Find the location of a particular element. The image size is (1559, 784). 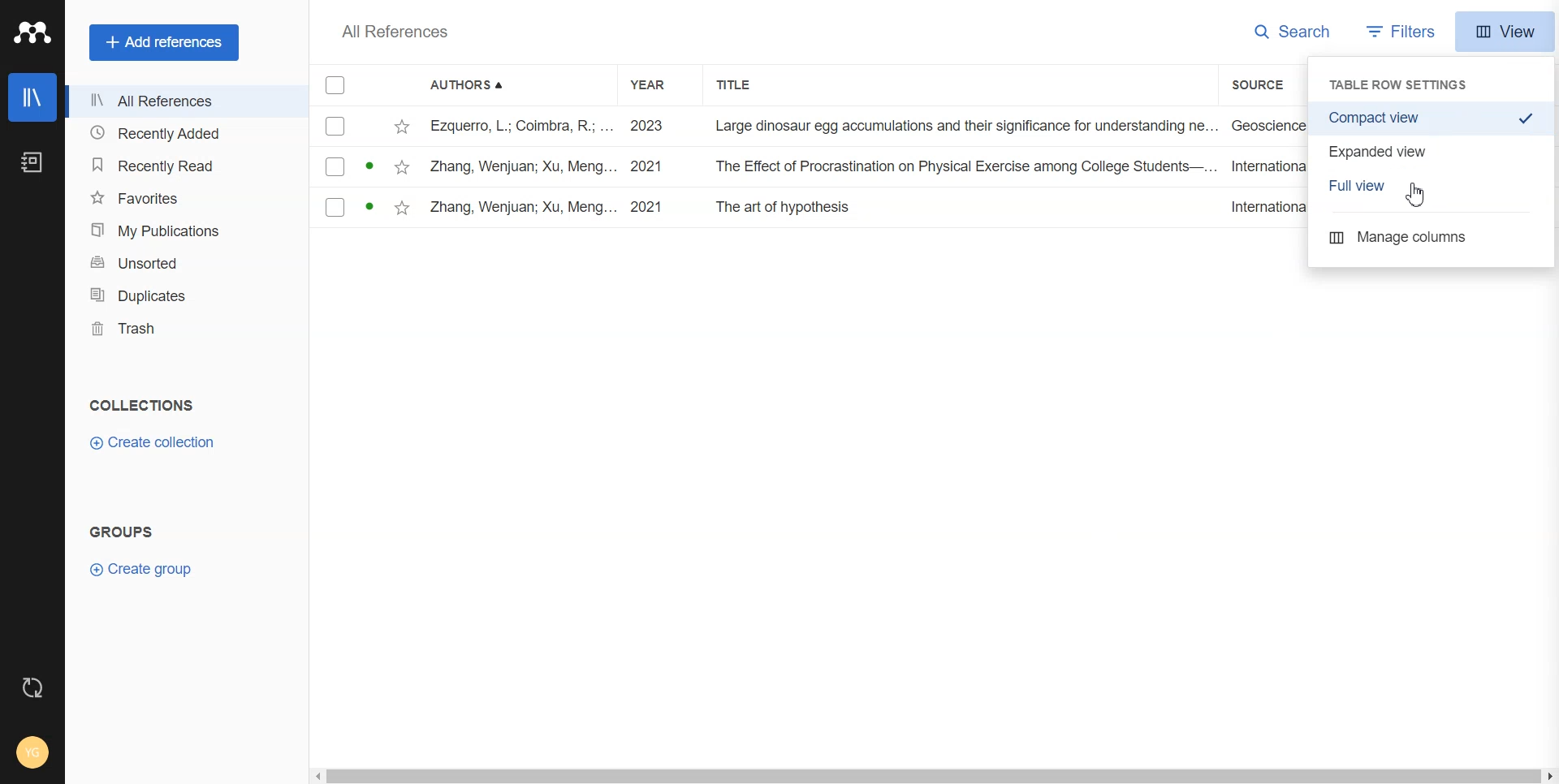

File is located at coordinates (810, 166).